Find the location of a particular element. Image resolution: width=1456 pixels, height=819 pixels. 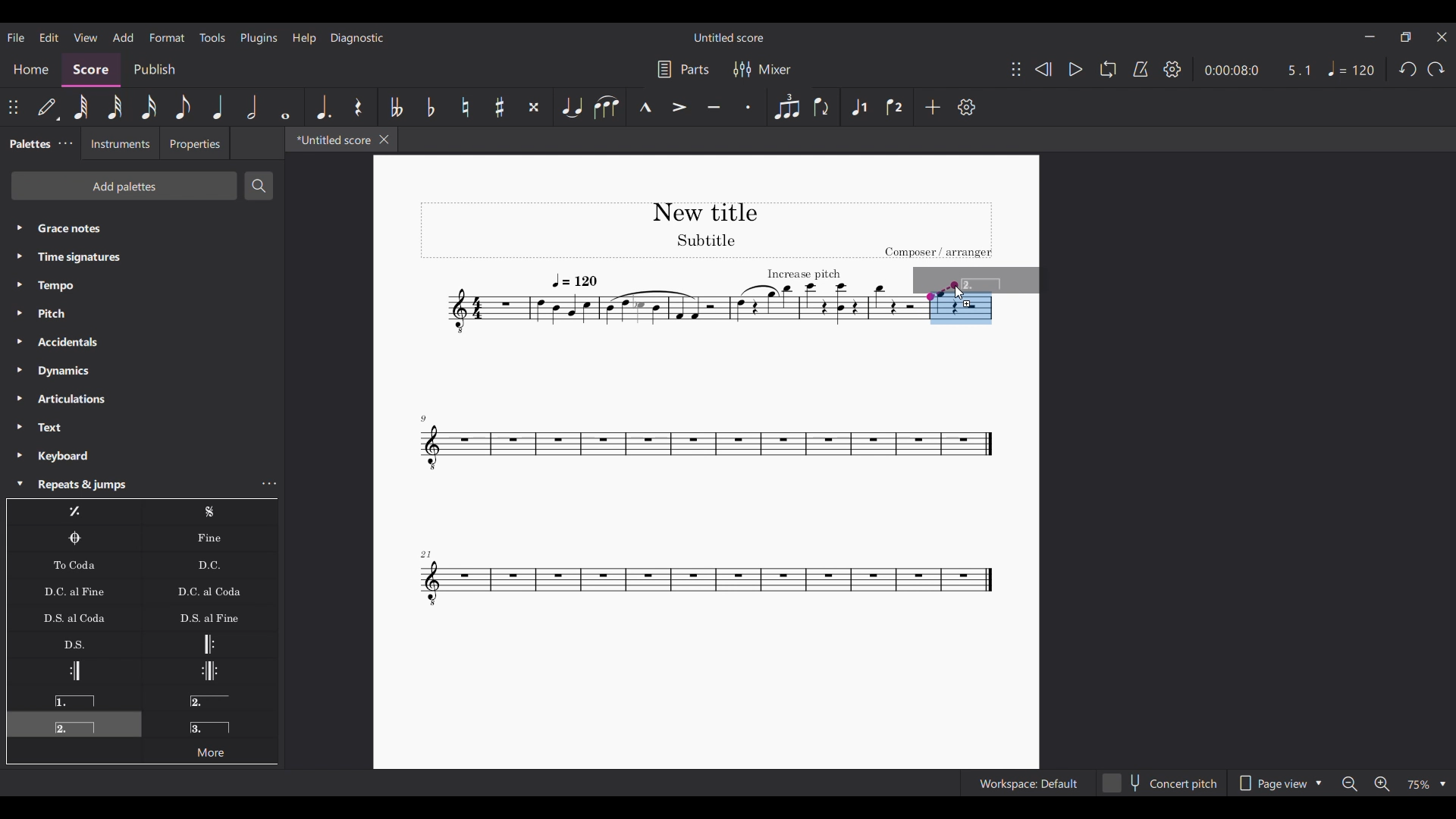

Prima volta is located at coordinates (74, 698).